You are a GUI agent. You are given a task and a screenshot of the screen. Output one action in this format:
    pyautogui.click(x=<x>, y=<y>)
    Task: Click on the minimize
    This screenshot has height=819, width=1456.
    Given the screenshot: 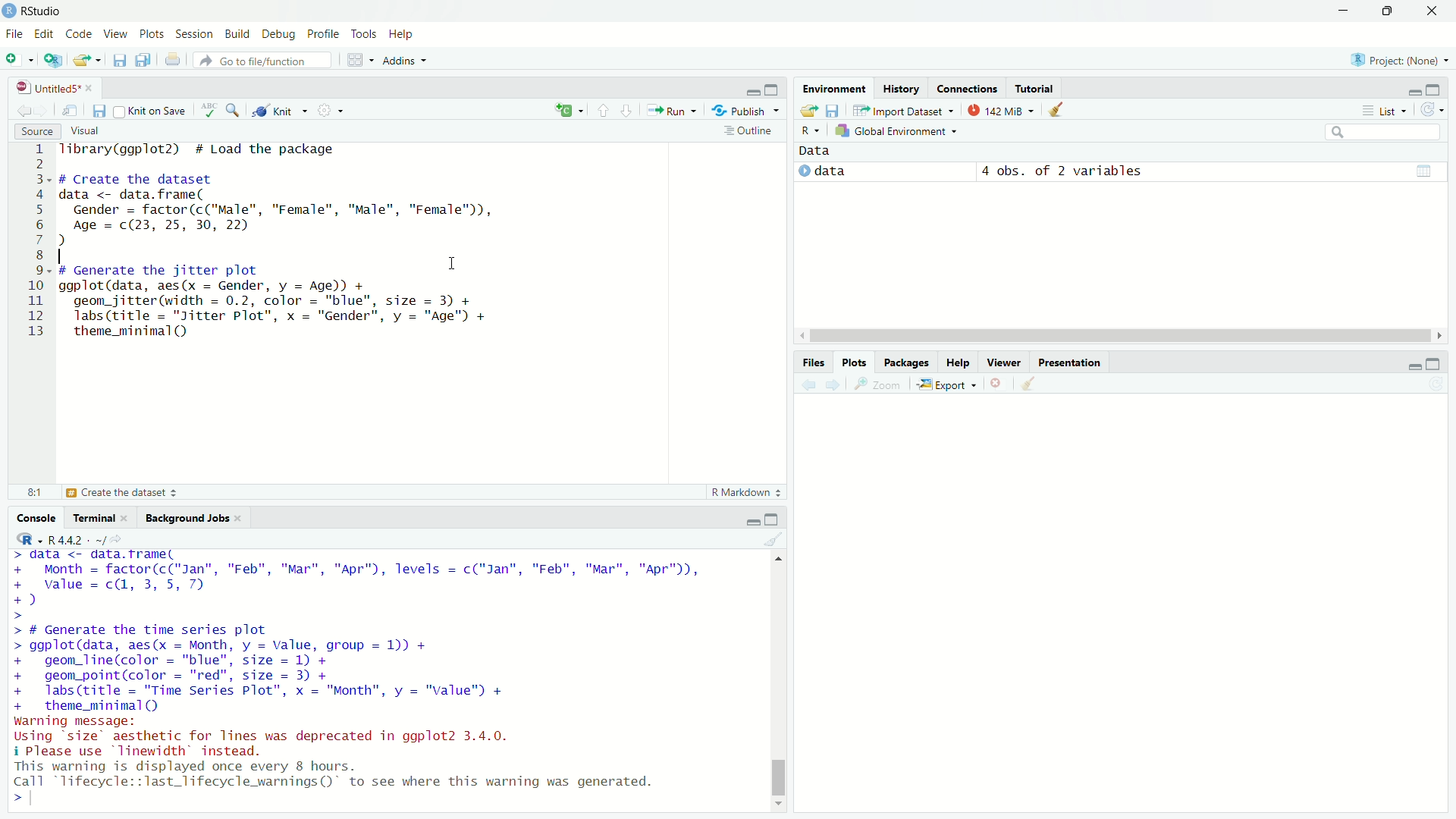 What is the action you would take?
    pyautogui.click(x=751, y=520)
    